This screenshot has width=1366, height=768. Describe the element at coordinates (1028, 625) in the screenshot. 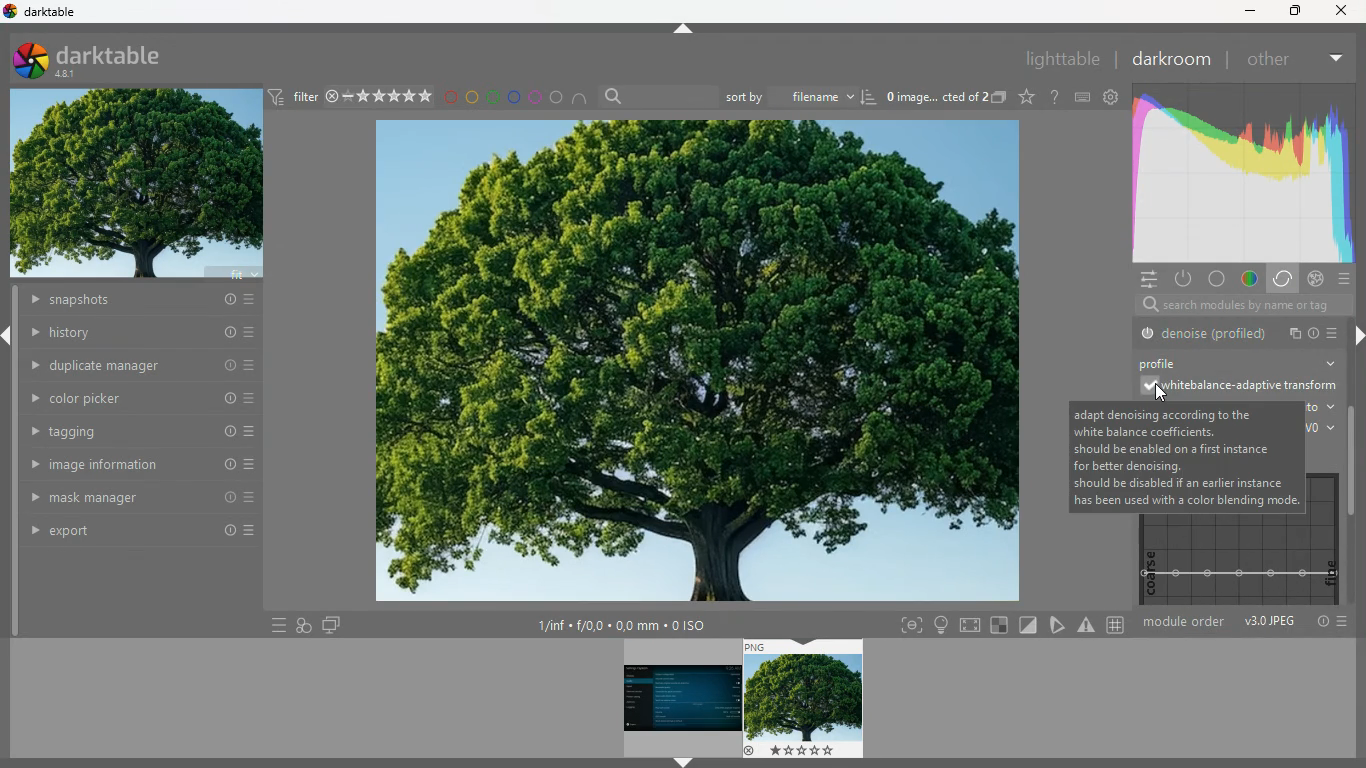

I see `diagnonal` at that location.